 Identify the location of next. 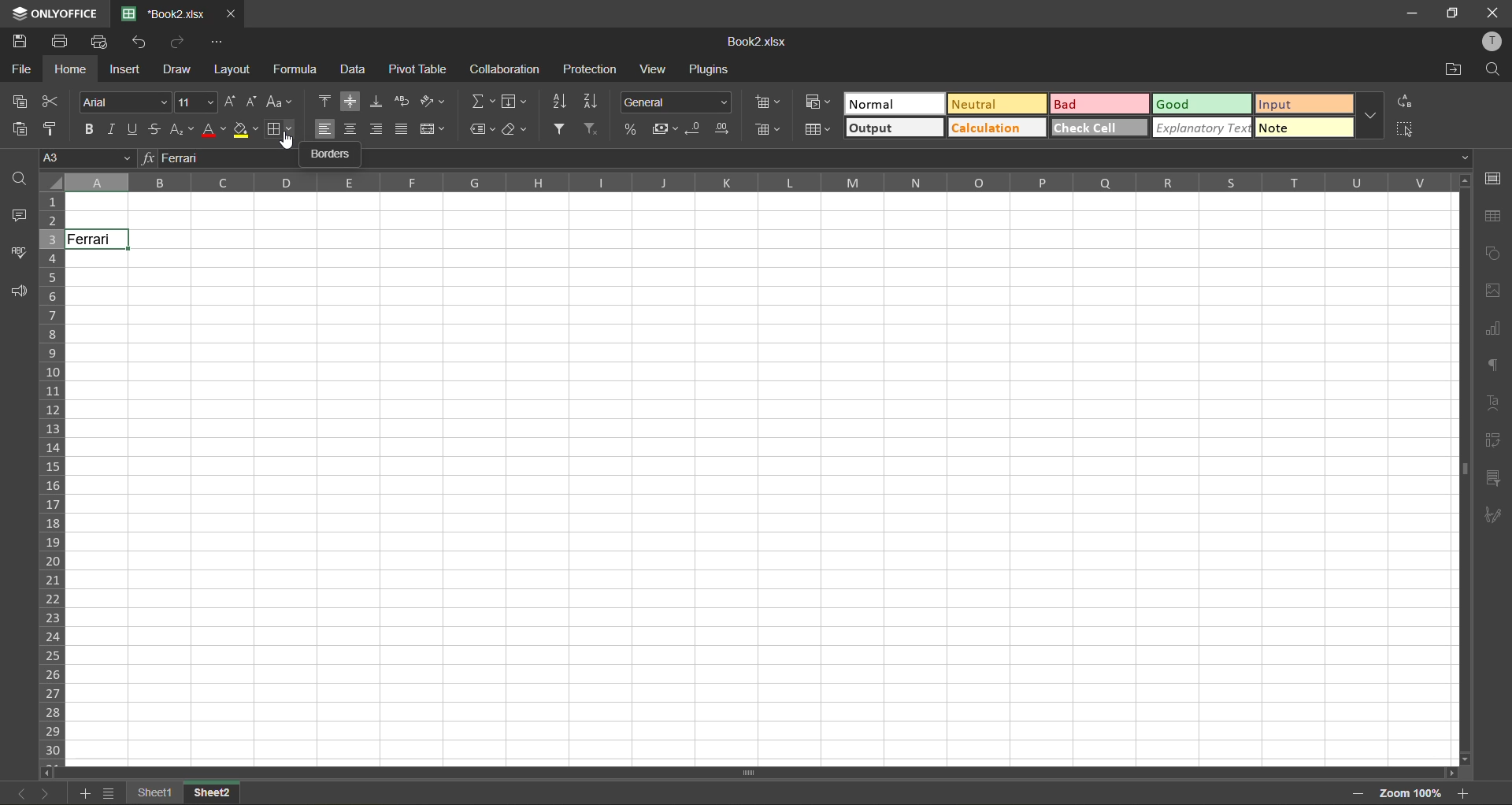
(46, 793).